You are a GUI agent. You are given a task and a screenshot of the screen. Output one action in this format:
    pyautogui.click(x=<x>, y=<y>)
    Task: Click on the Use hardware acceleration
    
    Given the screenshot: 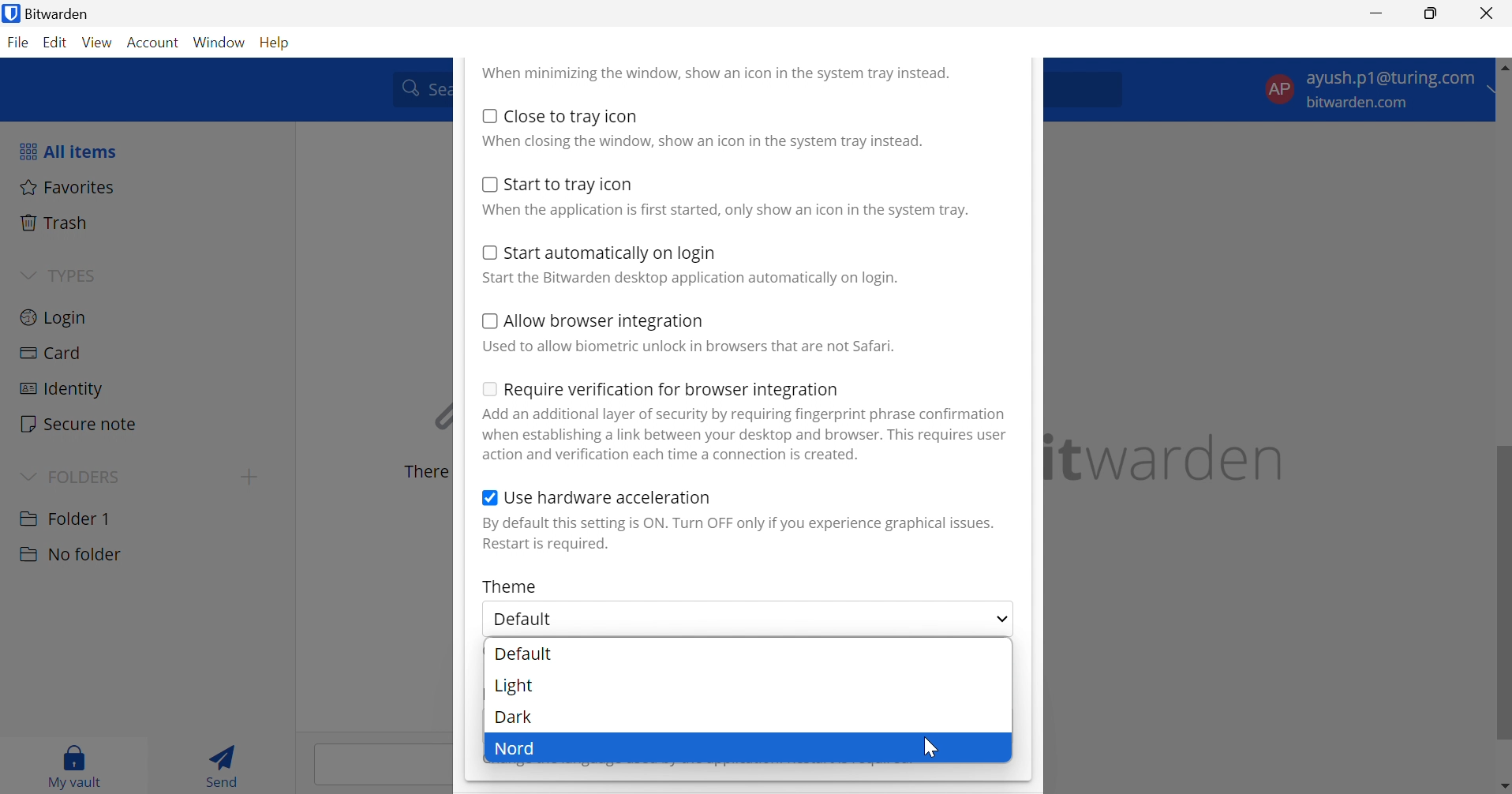 What is the action you would take?
    pyautogui.click(x=608, y=497)
    